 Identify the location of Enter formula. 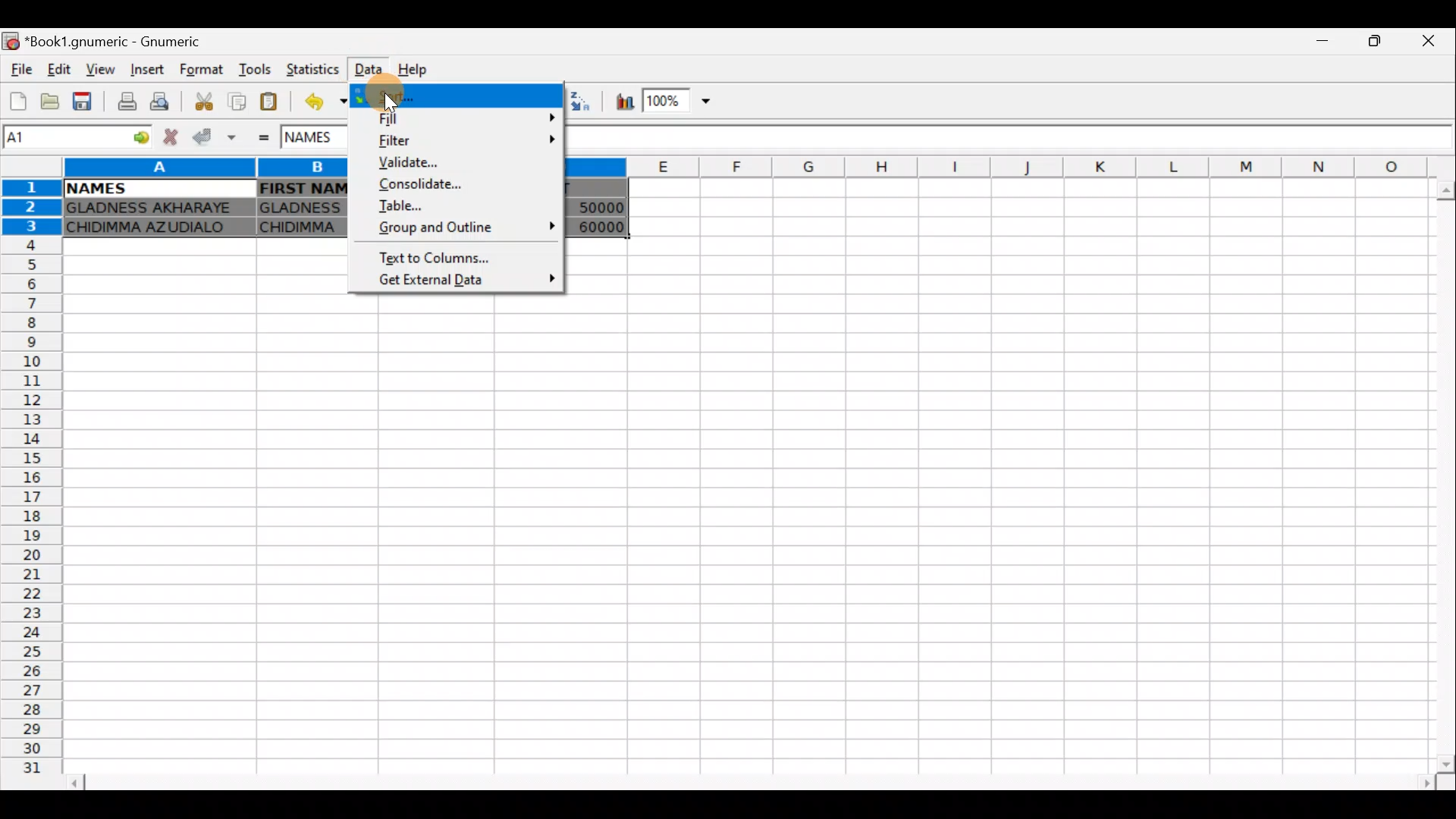
(265, 140).